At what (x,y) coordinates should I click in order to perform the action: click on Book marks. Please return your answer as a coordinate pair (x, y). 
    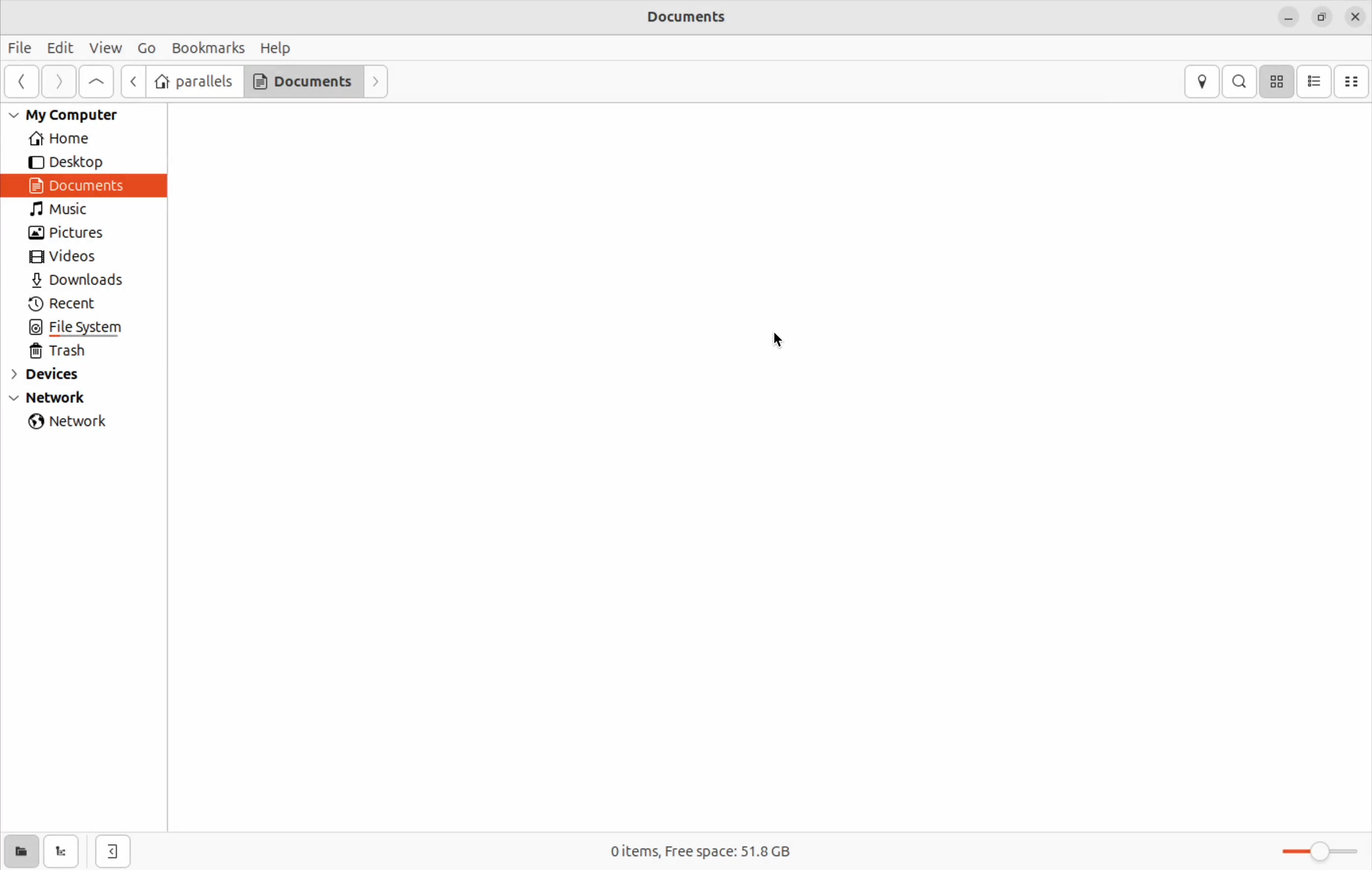
    Looking at the image, I should click on (208, 46).